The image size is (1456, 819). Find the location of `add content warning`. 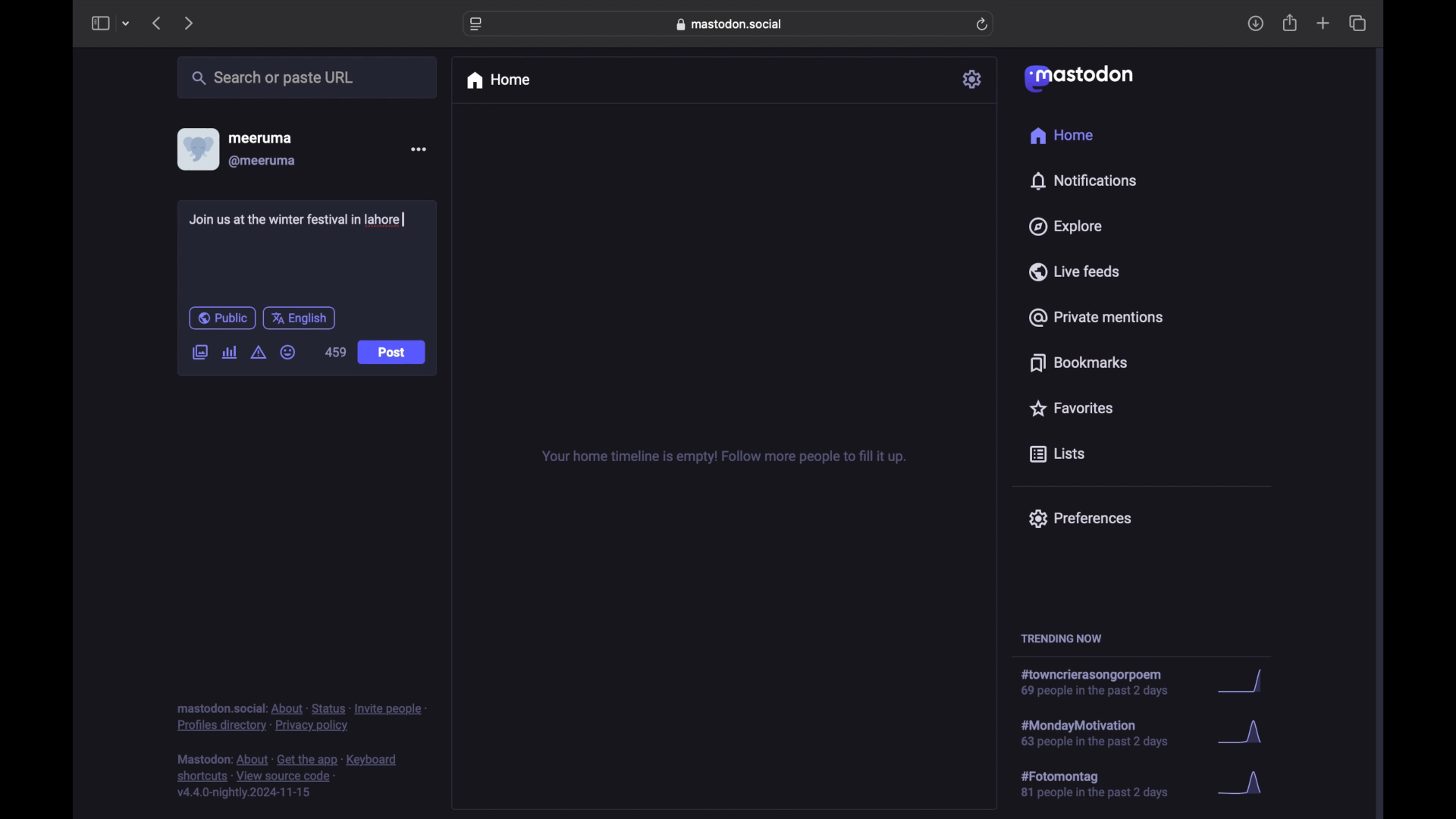

add content warning is located at coordinates (258, 353).